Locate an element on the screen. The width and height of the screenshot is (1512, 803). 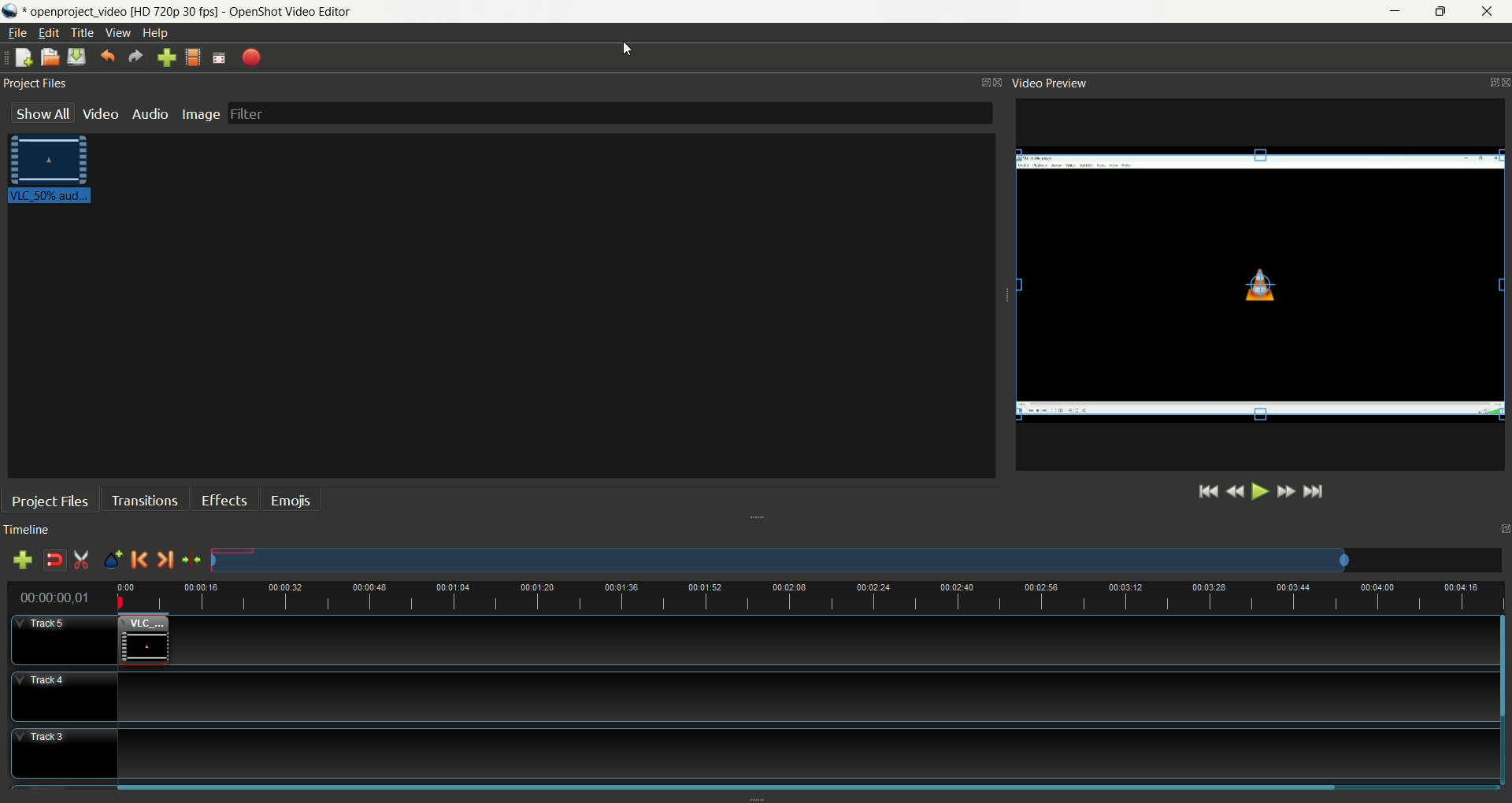
close is located at coordinates (1490, 13).